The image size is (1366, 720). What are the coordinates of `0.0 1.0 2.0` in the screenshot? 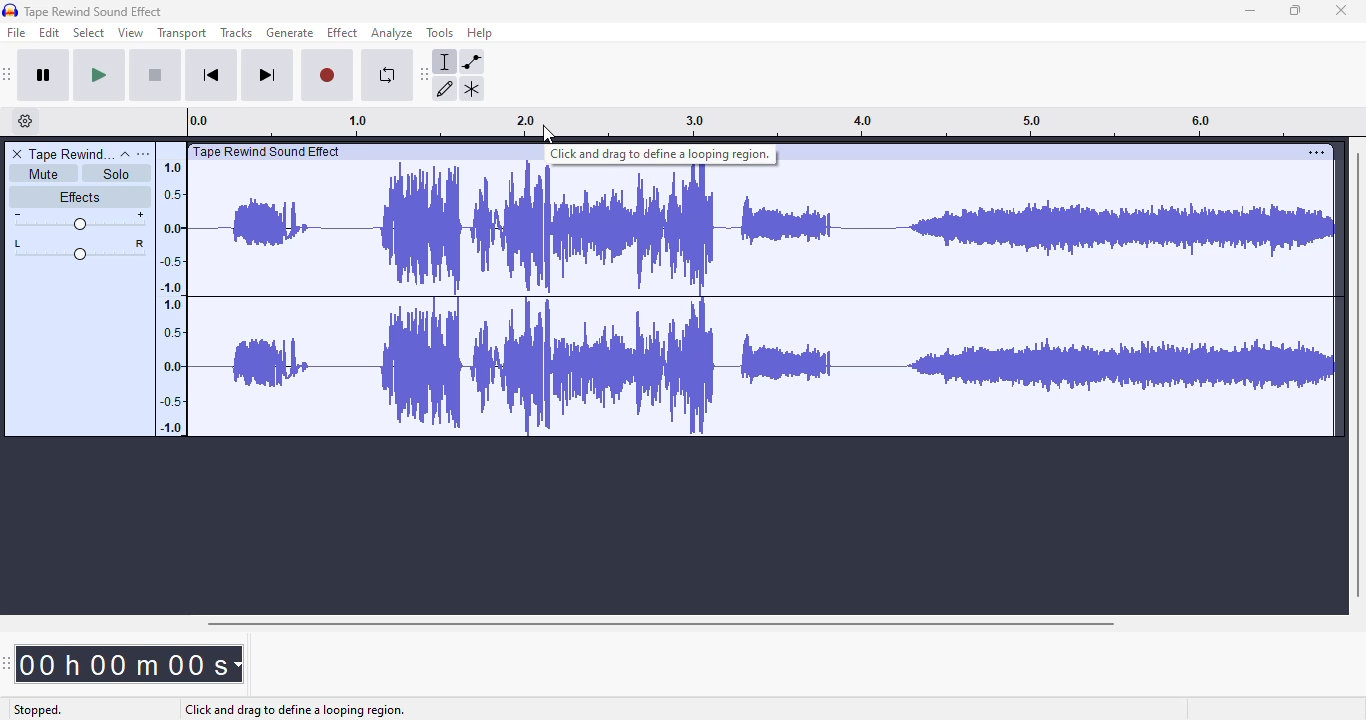 It's located at (435, 121).